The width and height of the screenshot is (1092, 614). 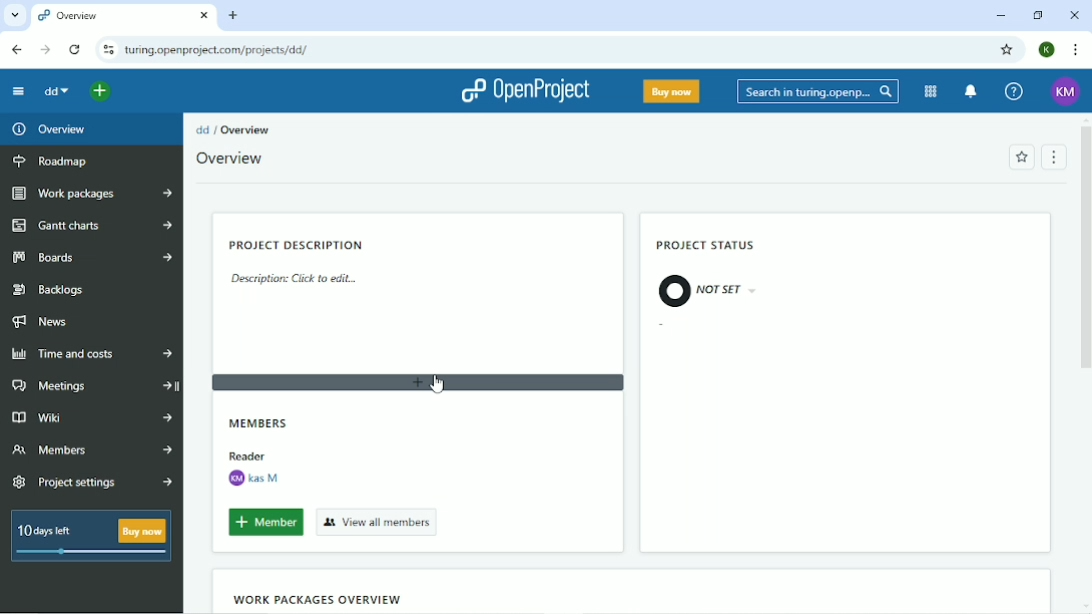 What do you see at coordinates (1075, 15) in the screenshot?
I see `Close` at bounding box center [1075, 15].